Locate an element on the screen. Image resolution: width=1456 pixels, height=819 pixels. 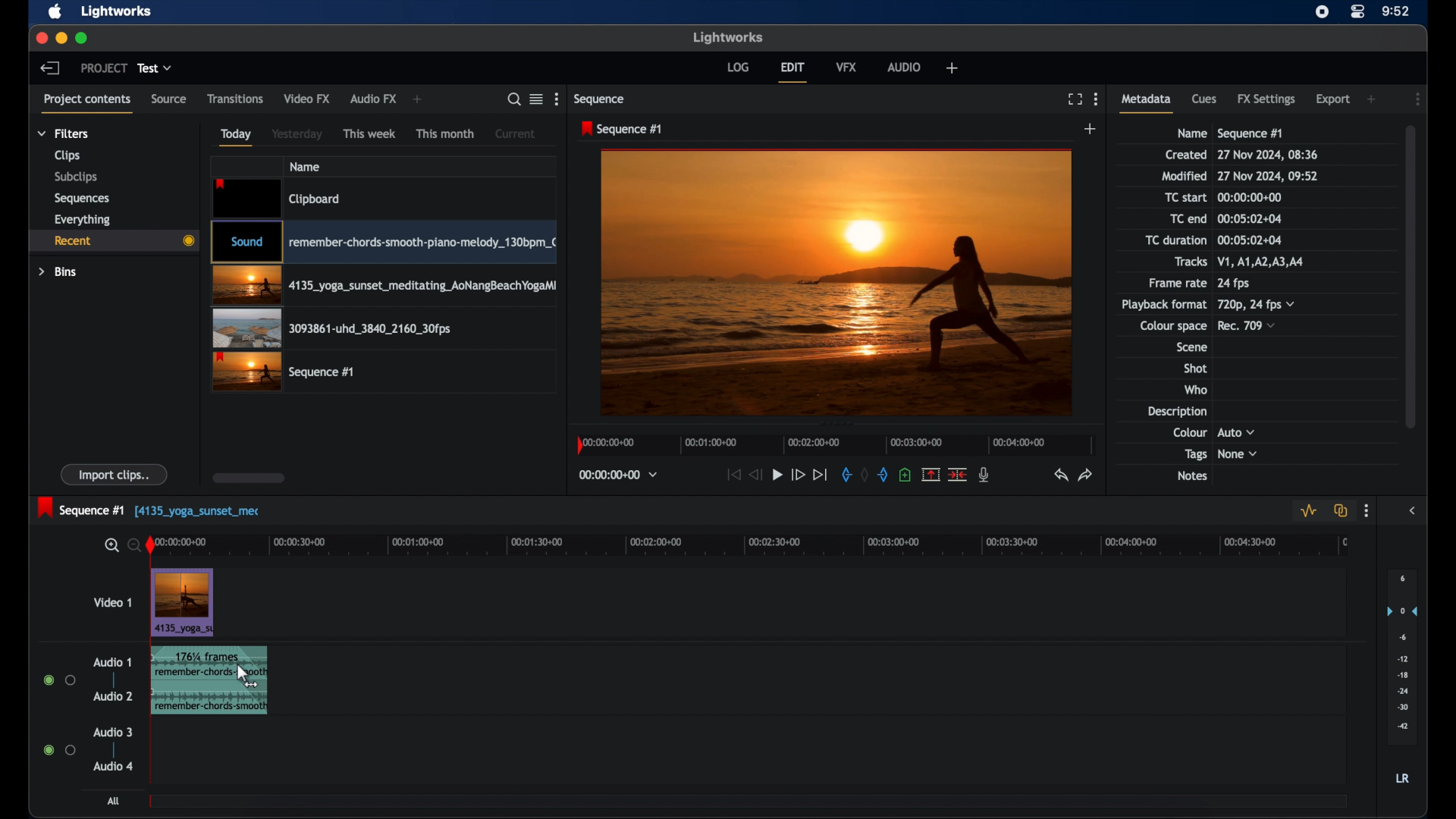
project is located at coordinates (103, 67).